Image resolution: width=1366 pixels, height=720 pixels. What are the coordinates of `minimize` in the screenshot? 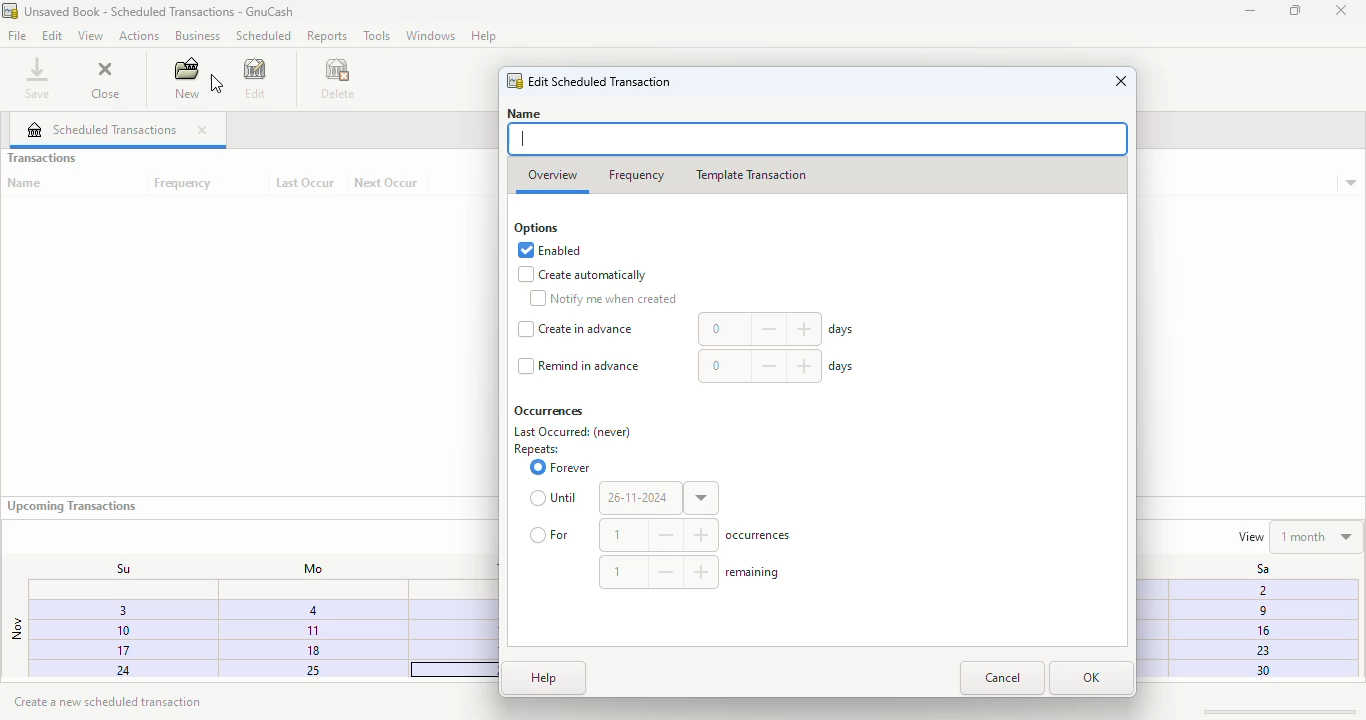 It's located at (1250, 11).